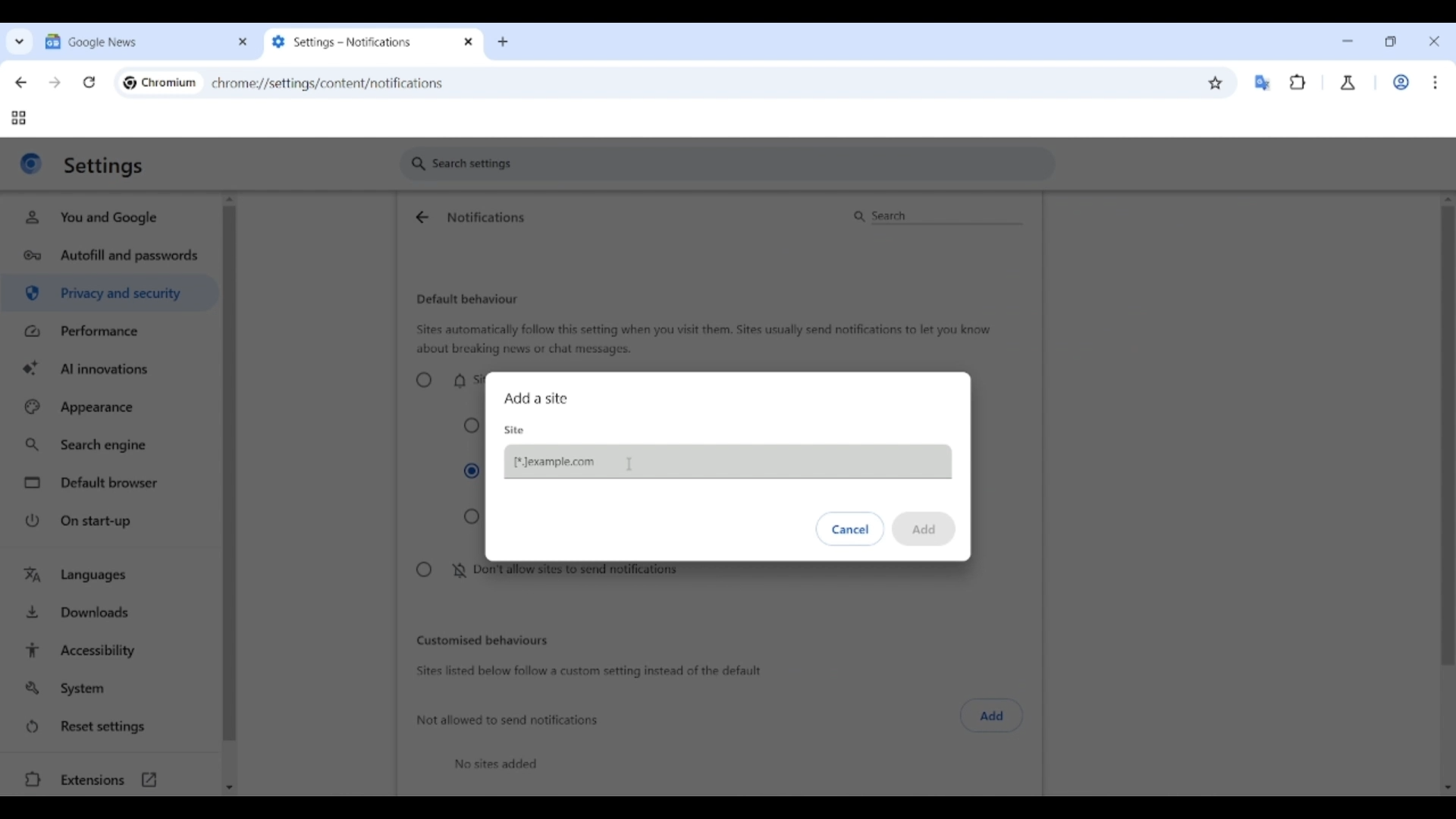 The height and width of the screenshot is (819, 1456). I want to click on Search tabs, so click(20, 41).